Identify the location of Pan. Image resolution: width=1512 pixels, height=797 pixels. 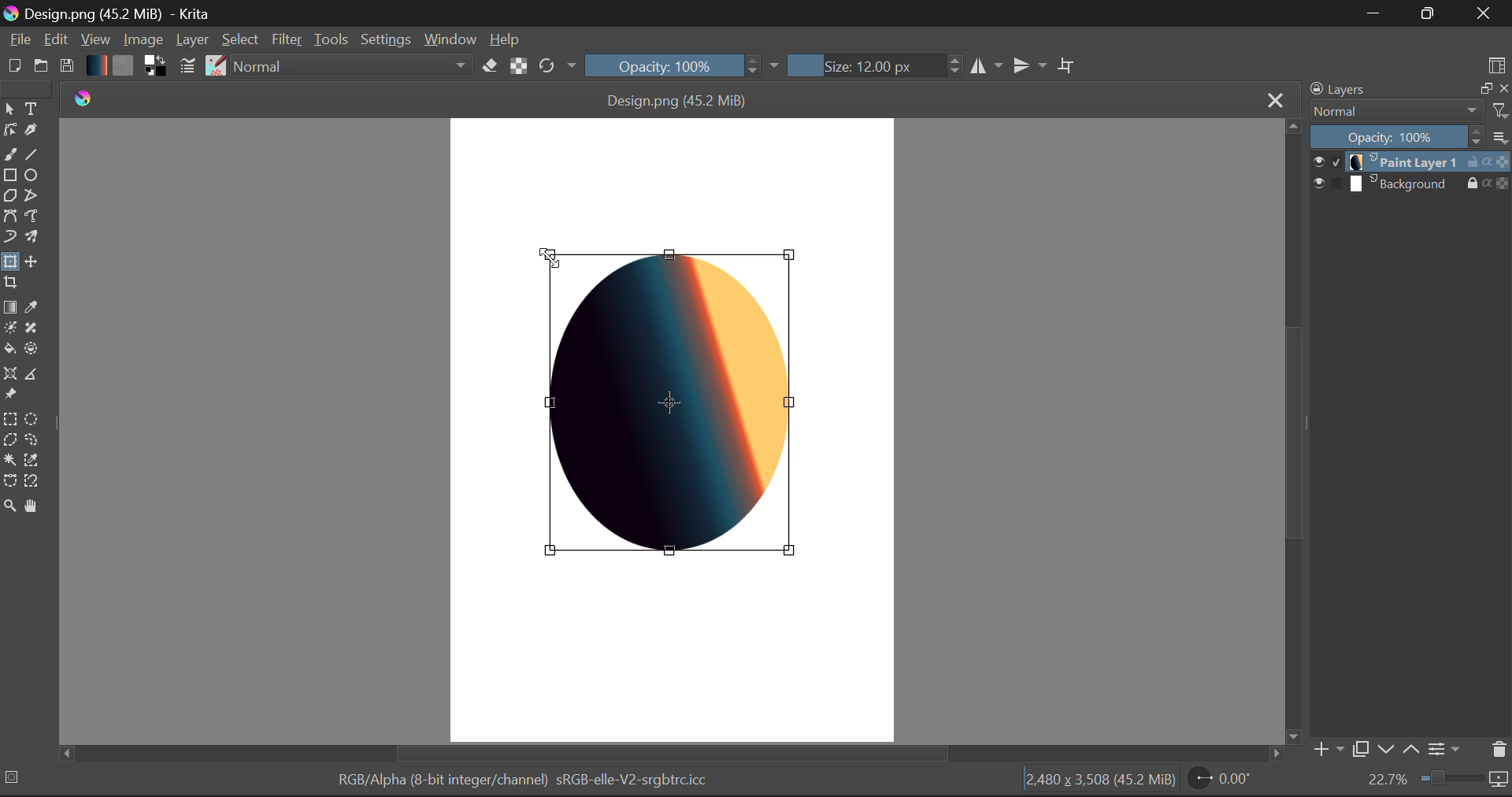
(33, 508).